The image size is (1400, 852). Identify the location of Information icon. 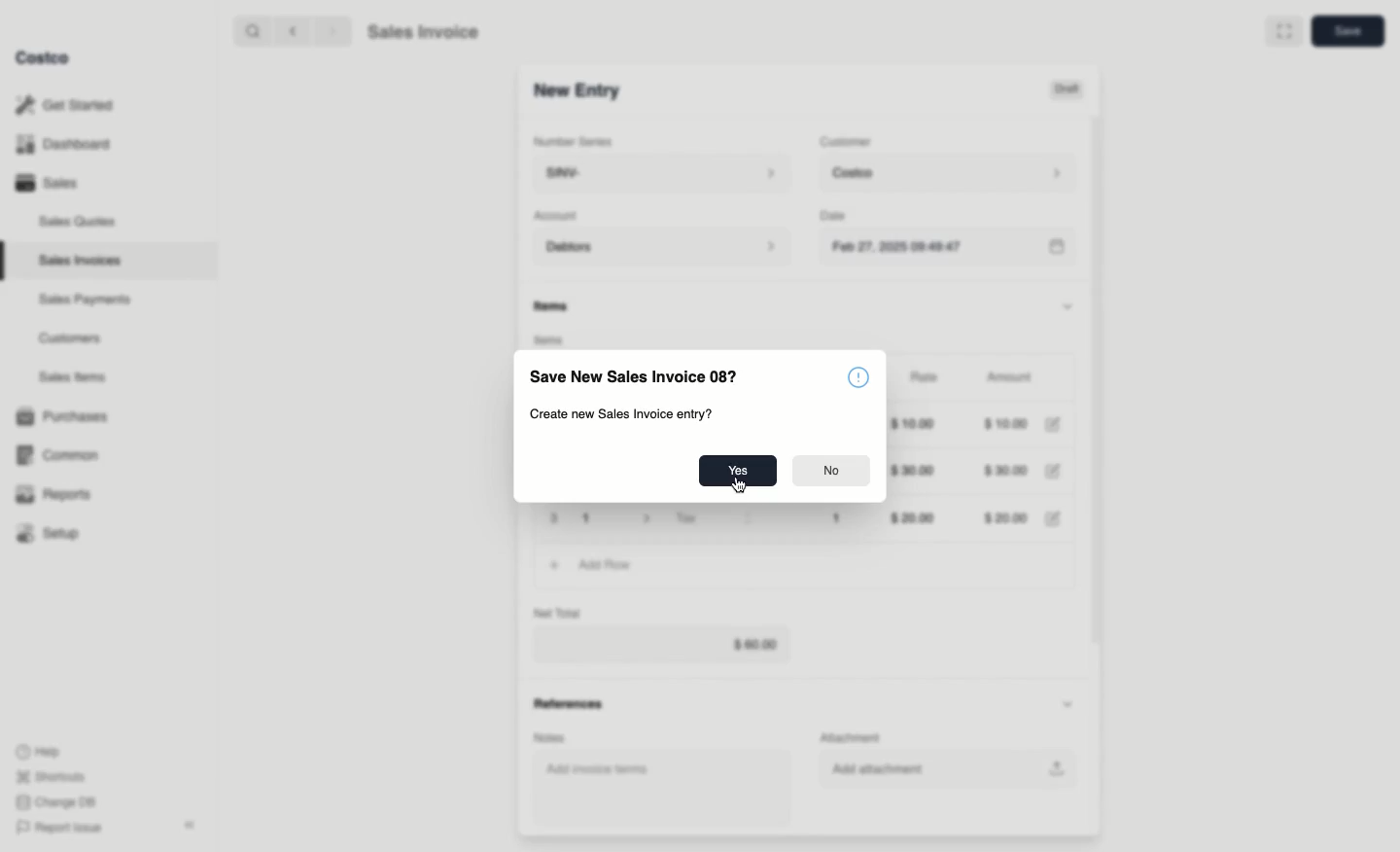
(857, 377).